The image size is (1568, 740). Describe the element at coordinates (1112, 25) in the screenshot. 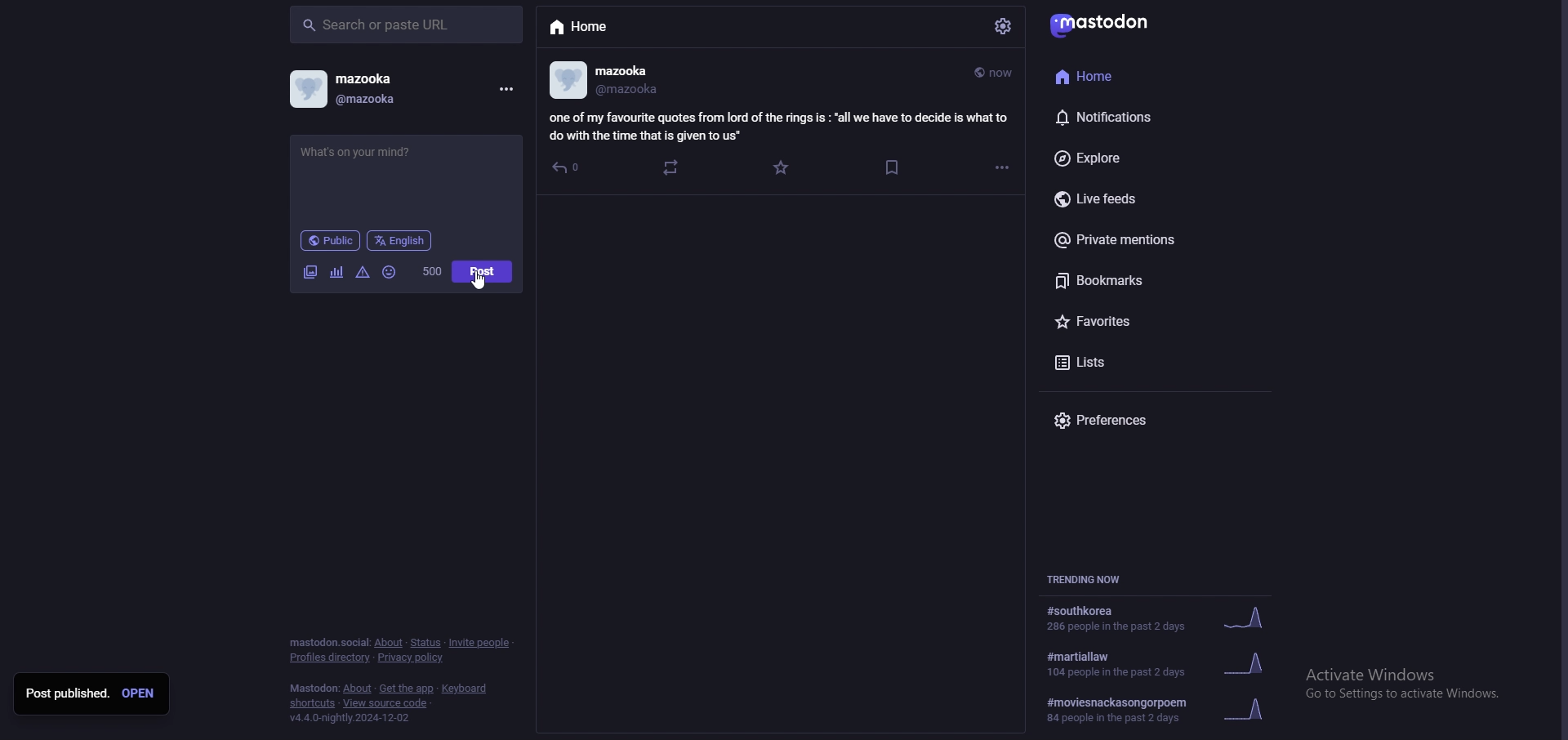

I see `mastodon` at that location.